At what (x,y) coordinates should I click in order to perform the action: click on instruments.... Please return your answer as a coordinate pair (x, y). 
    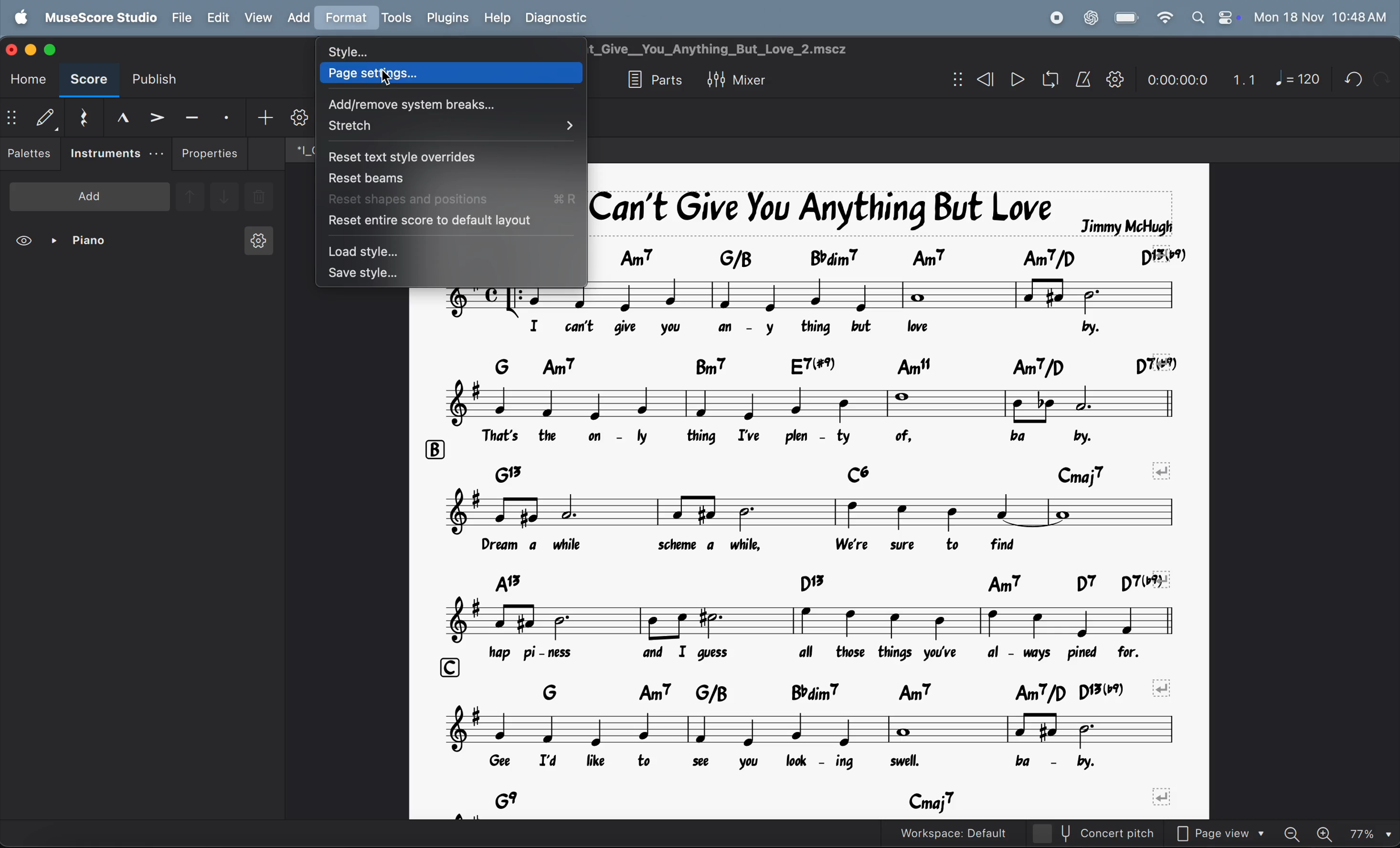
    Looking at the image, I should click on (116, 154).